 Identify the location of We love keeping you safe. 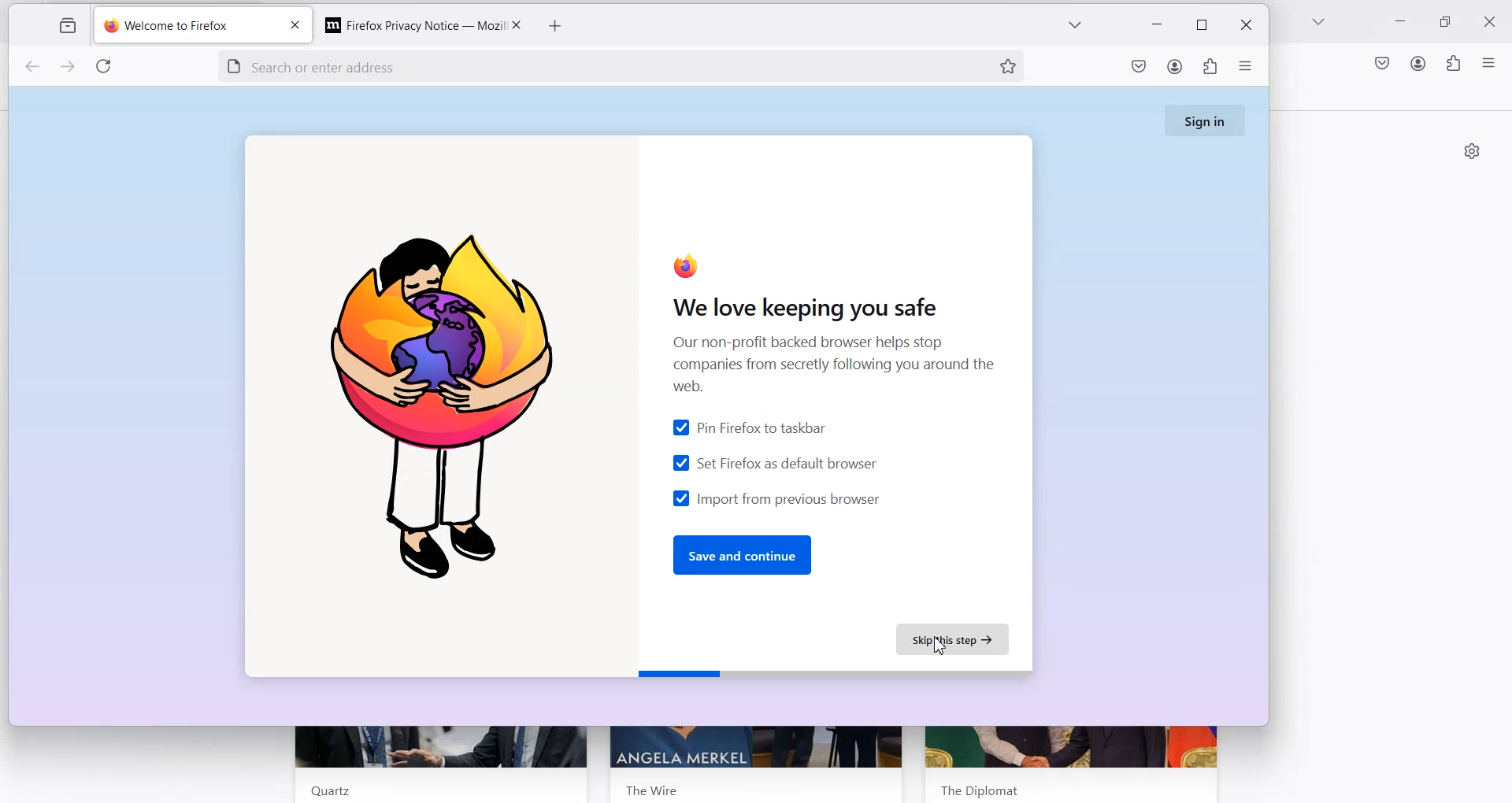
(799, 305).